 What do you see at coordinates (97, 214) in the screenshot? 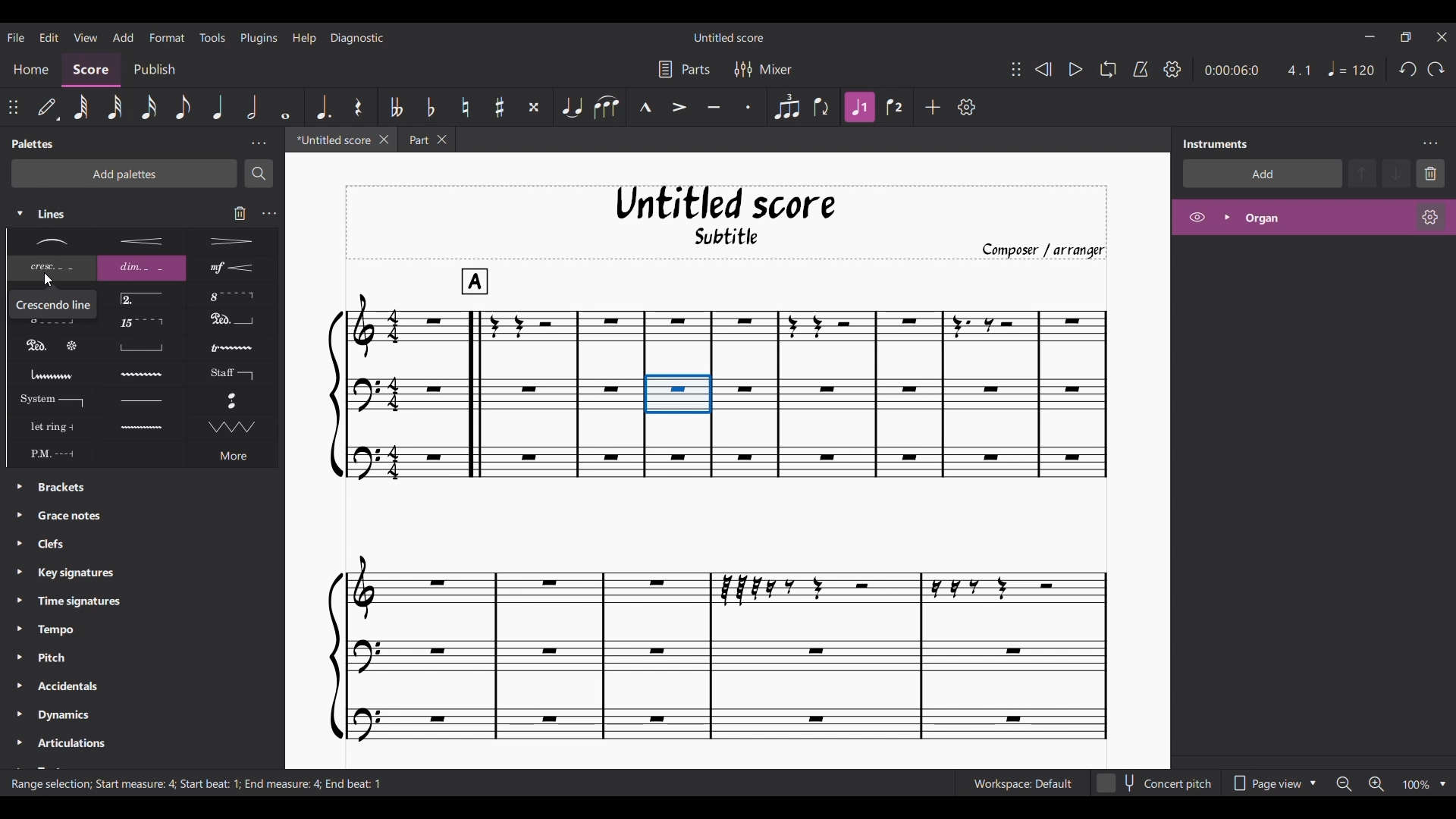
I see `Collapse Lines` at bounding box center [97, 214].